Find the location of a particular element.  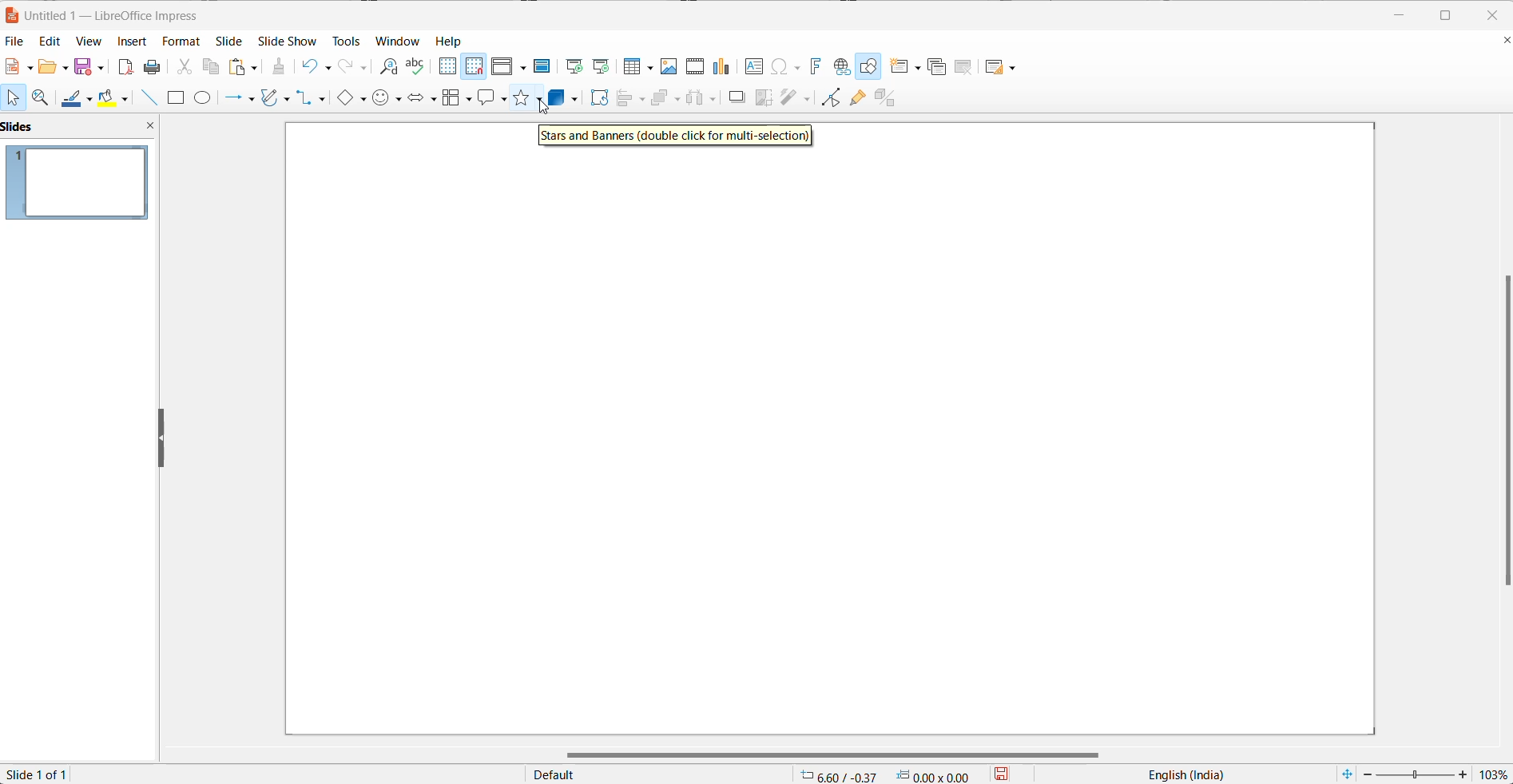

scrollbar is located at coordinates (824, 750).